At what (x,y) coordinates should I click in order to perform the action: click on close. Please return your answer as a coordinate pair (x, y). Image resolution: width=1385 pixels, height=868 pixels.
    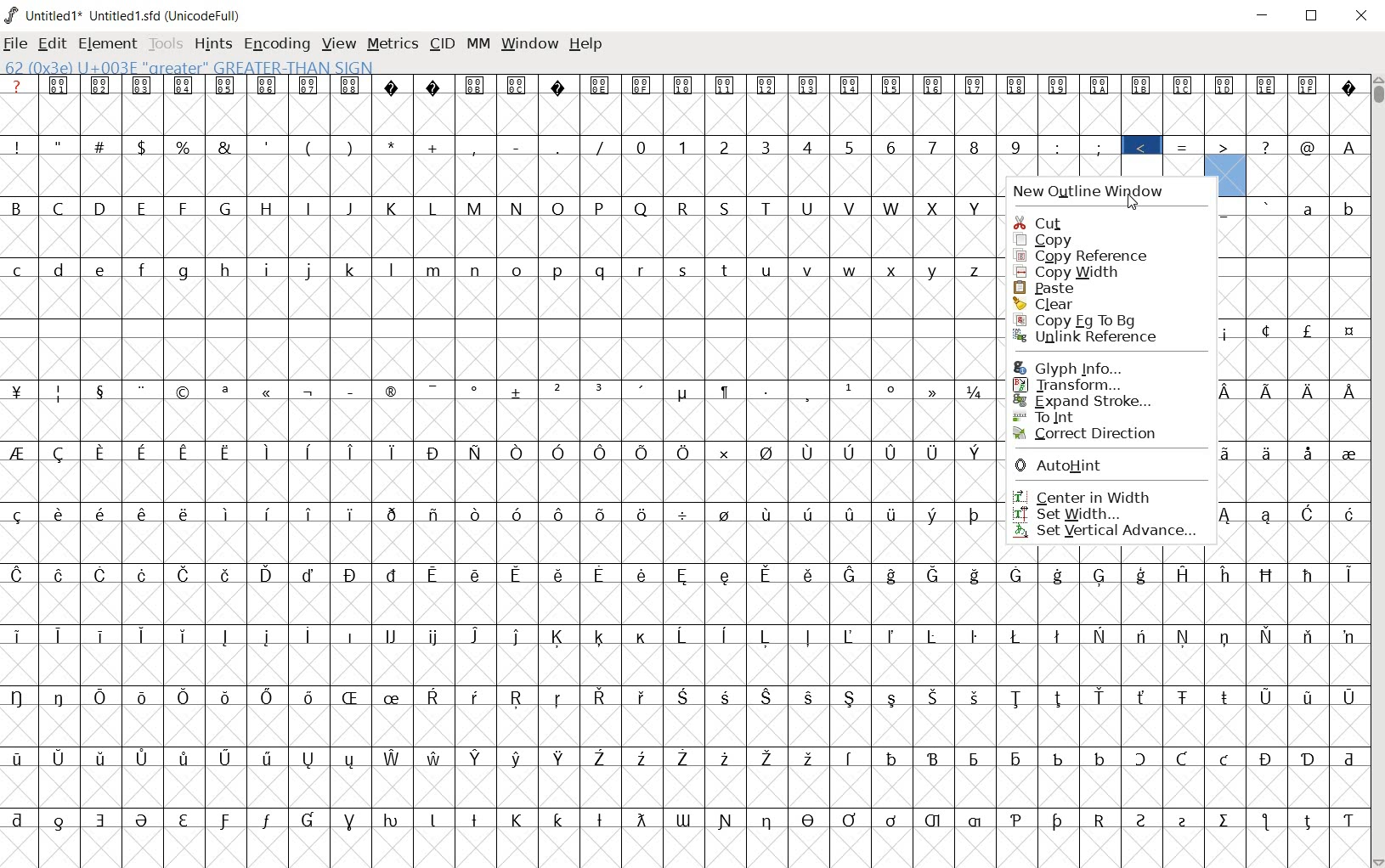
    Looking at the image, I should click on (1360, 15).